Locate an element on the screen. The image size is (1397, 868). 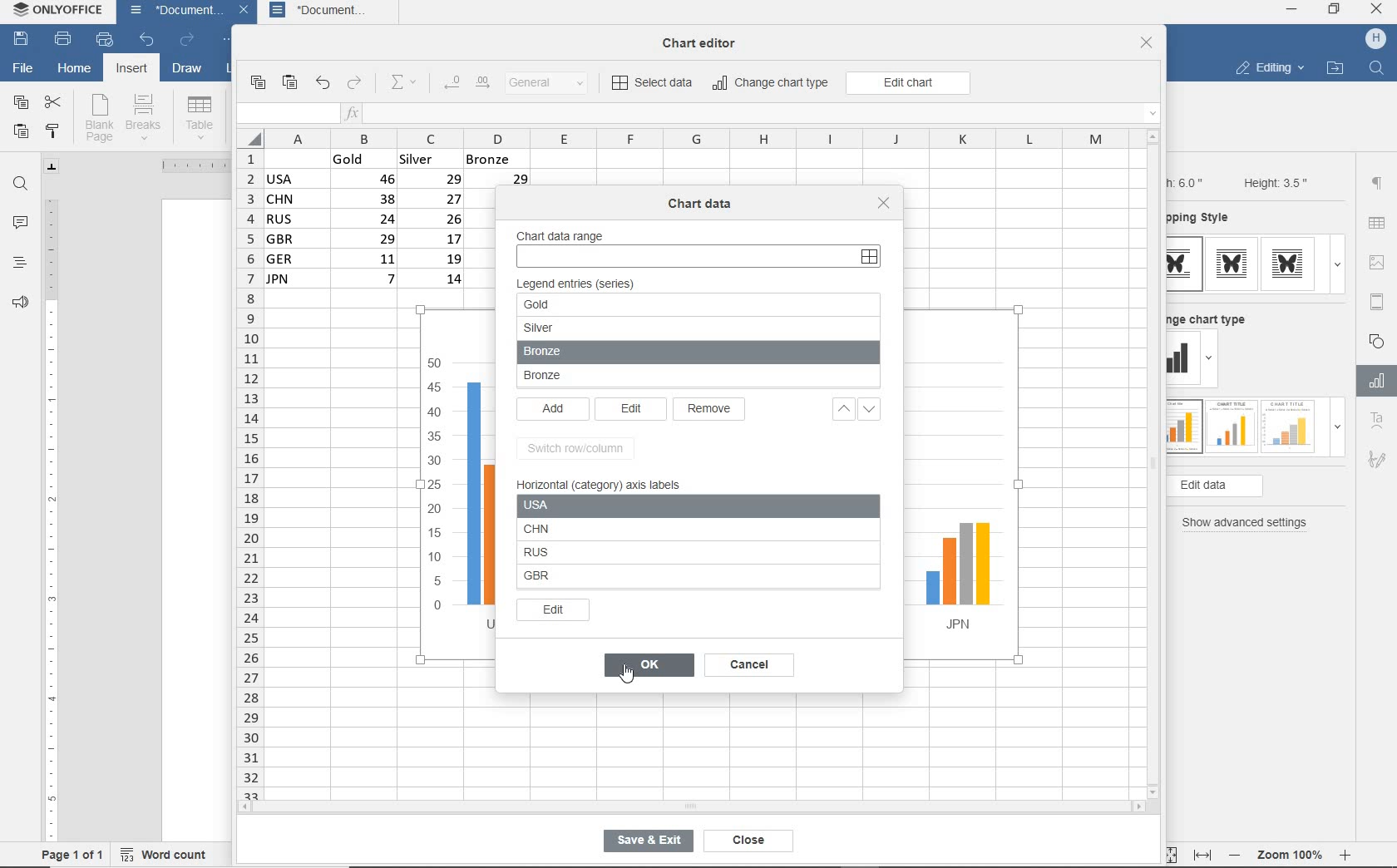
dropdown is located at coordinates (1337, 264).